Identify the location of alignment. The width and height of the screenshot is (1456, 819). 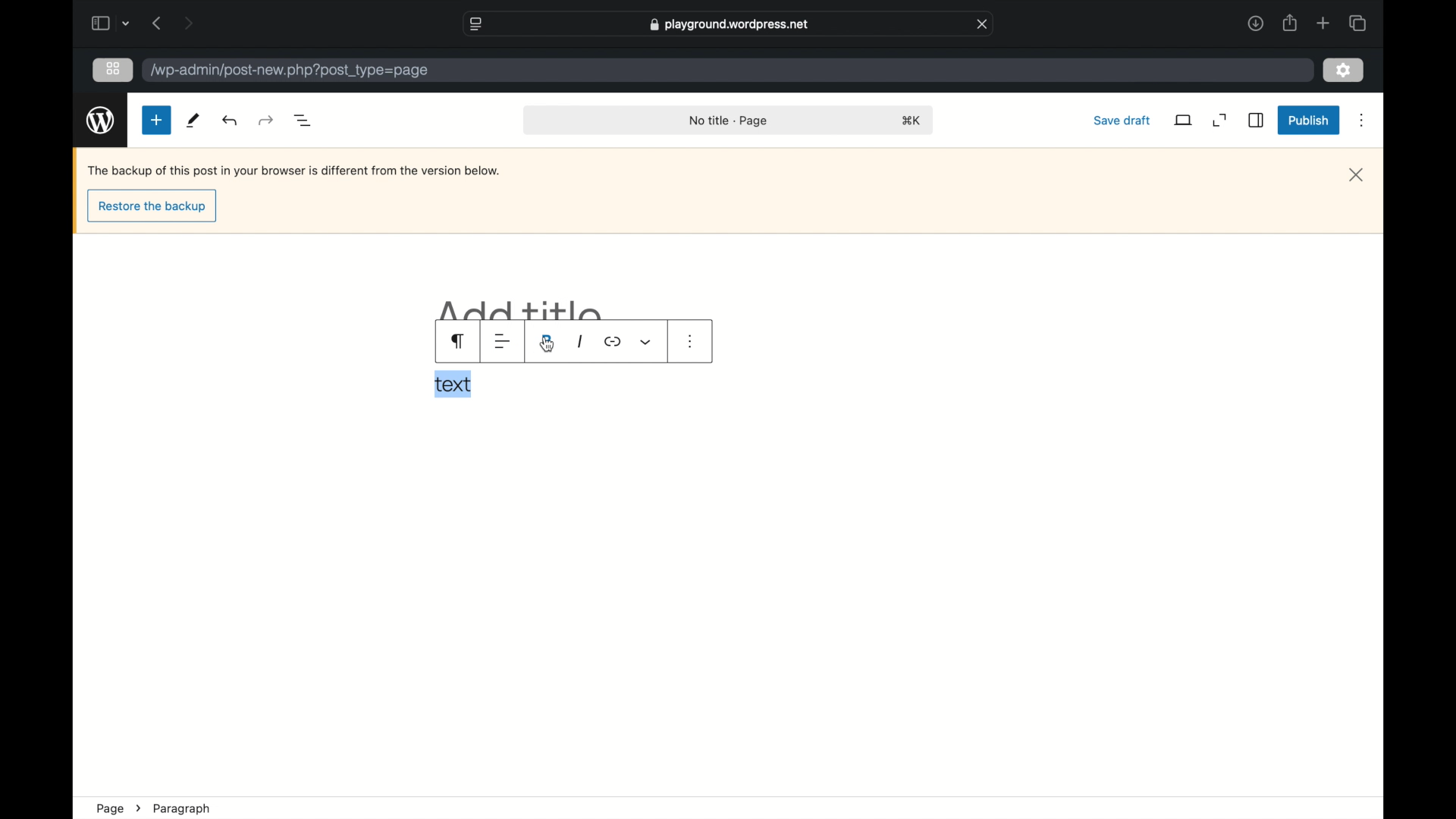
(502, 342).